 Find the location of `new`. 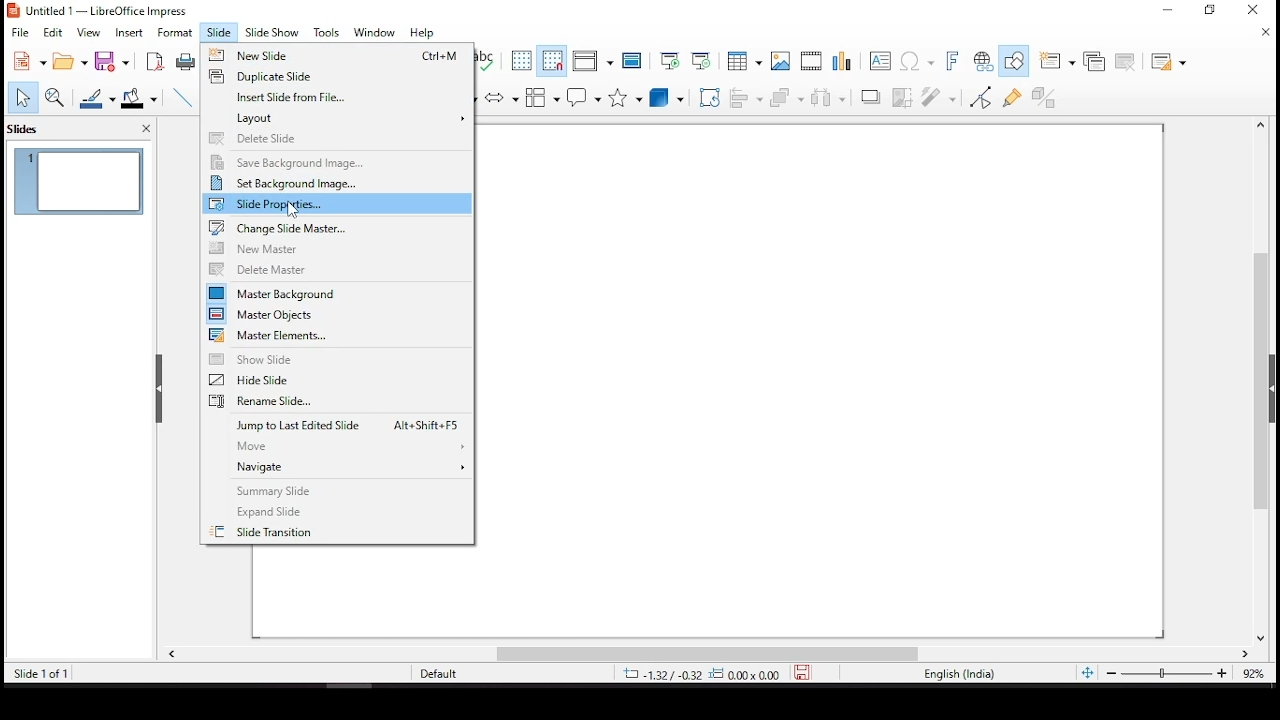

new is located at coordinates (25, 62).